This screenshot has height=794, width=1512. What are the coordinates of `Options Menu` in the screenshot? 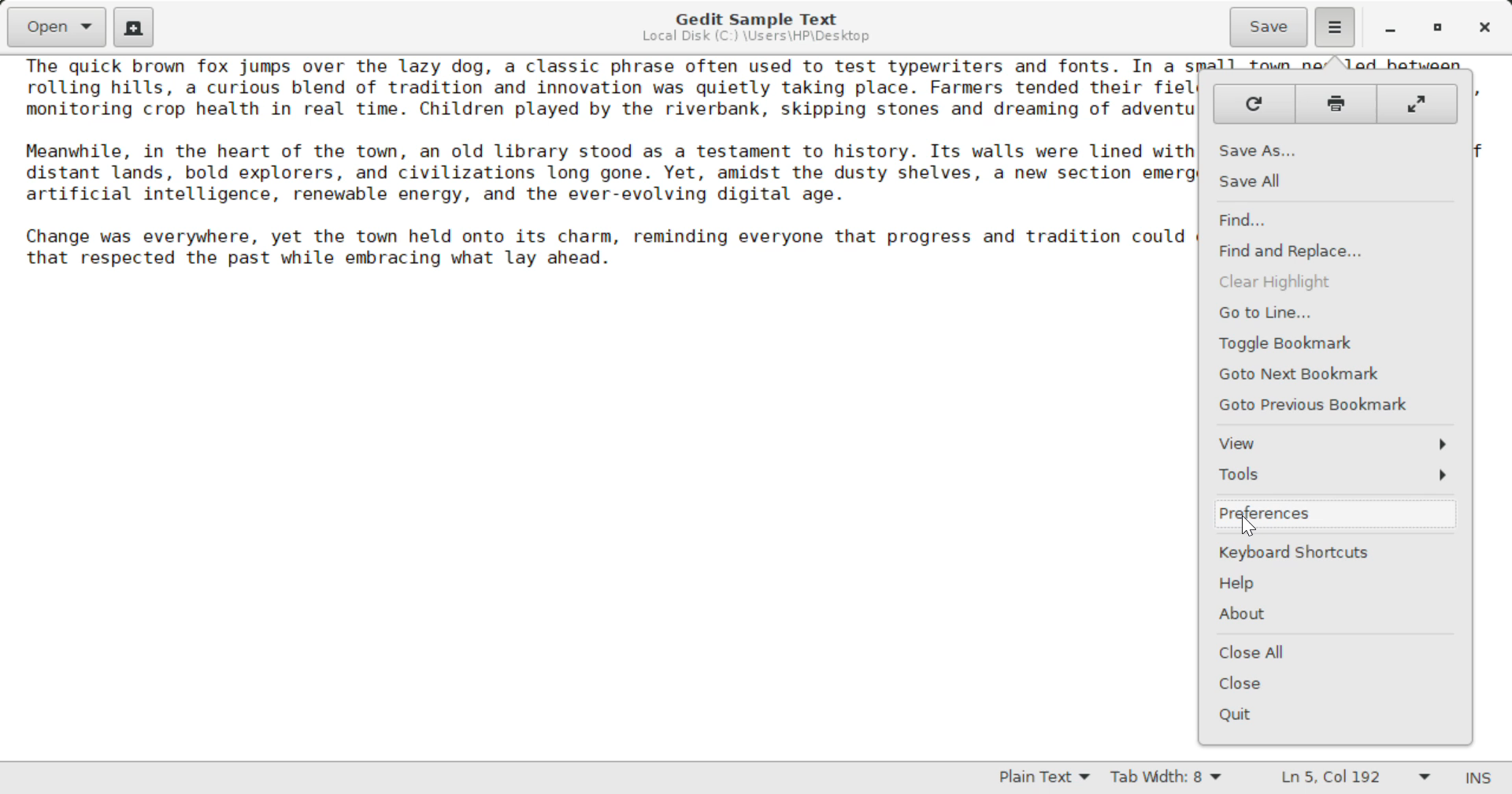 It's located at (1333, 26).